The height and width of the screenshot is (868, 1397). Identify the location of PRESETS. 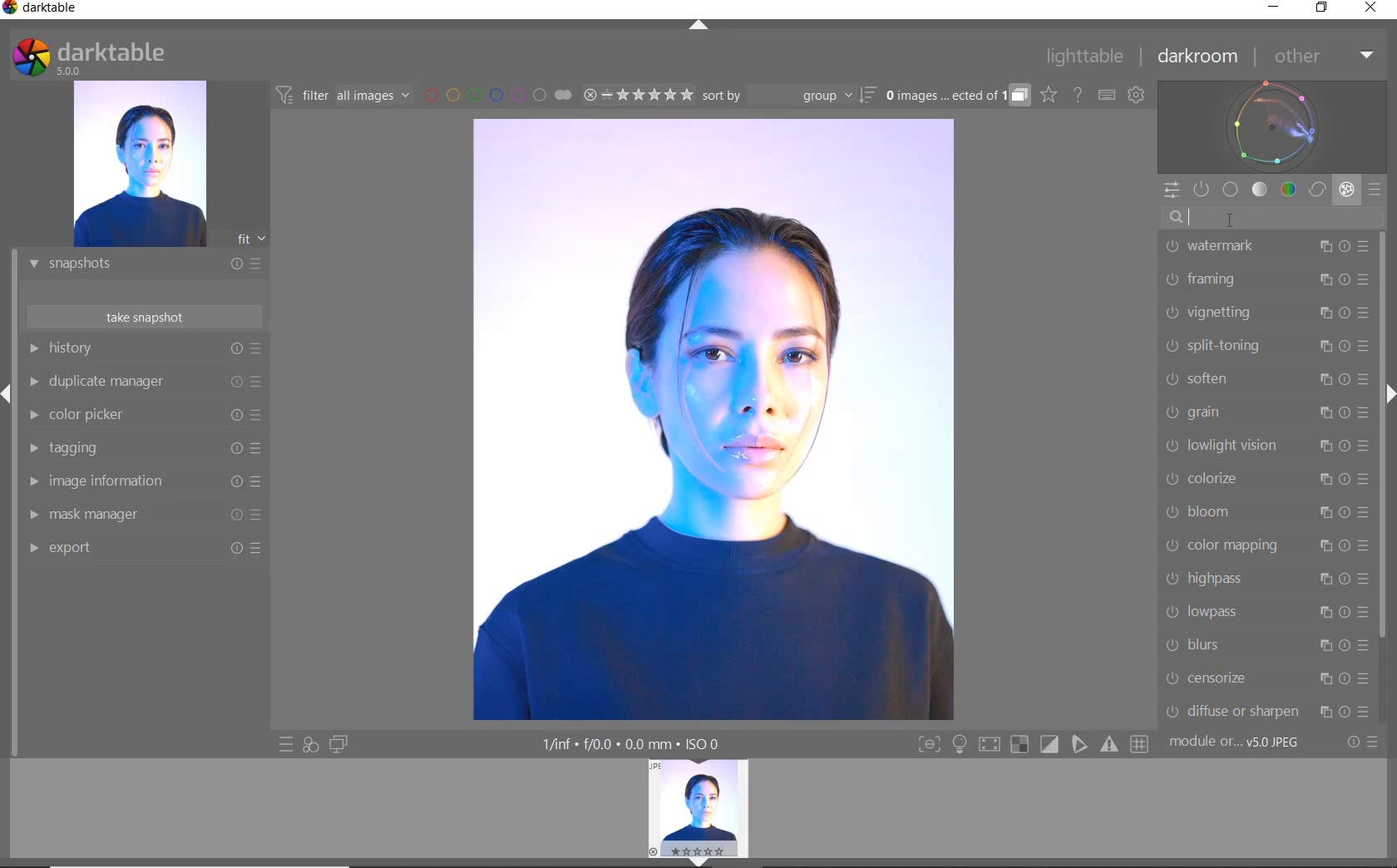
(1375, 189).